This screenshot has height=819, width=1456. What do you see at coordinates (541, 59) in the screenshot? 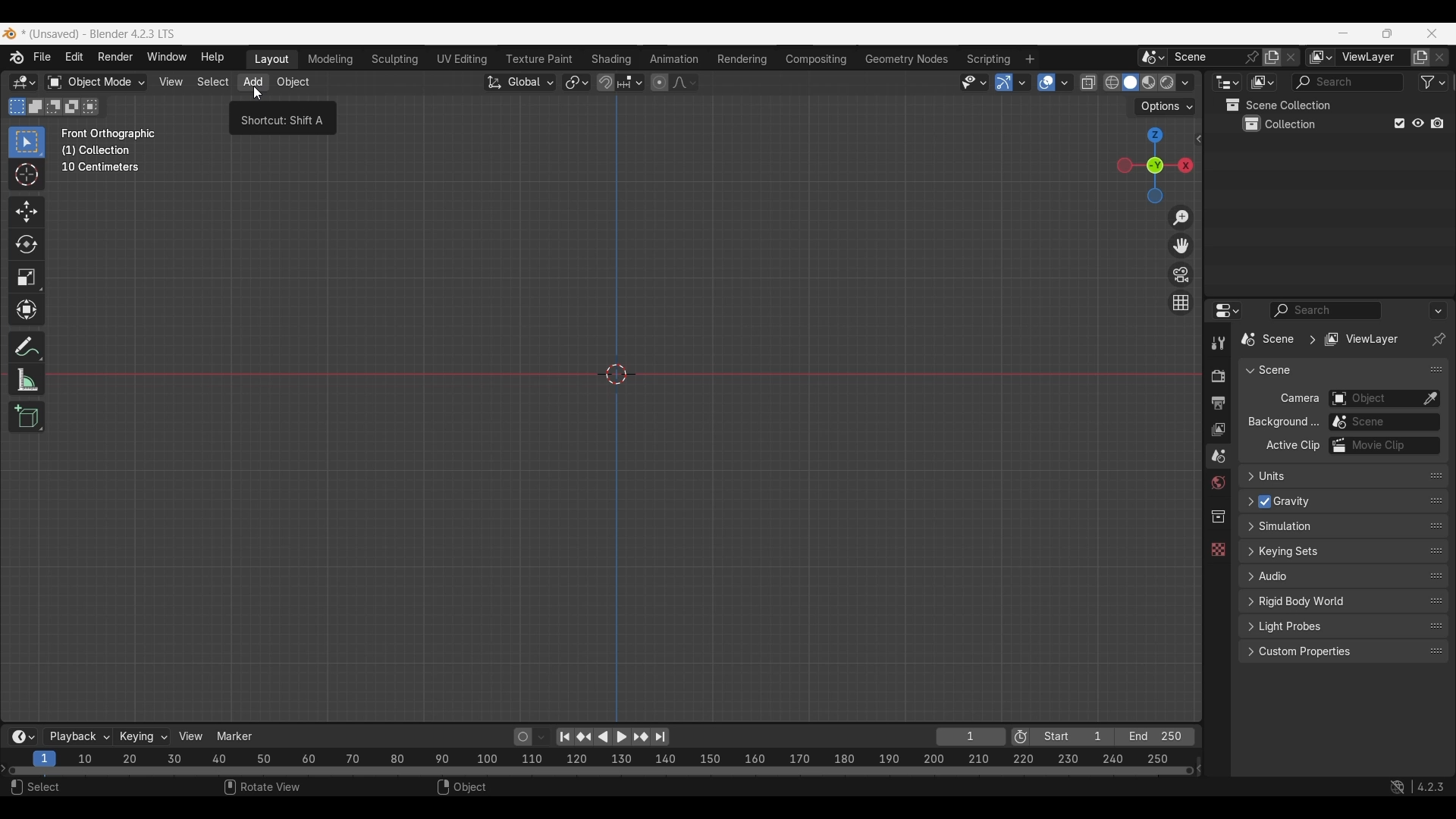
I see `Texture paint workspace` at bounding box center [541, 59].